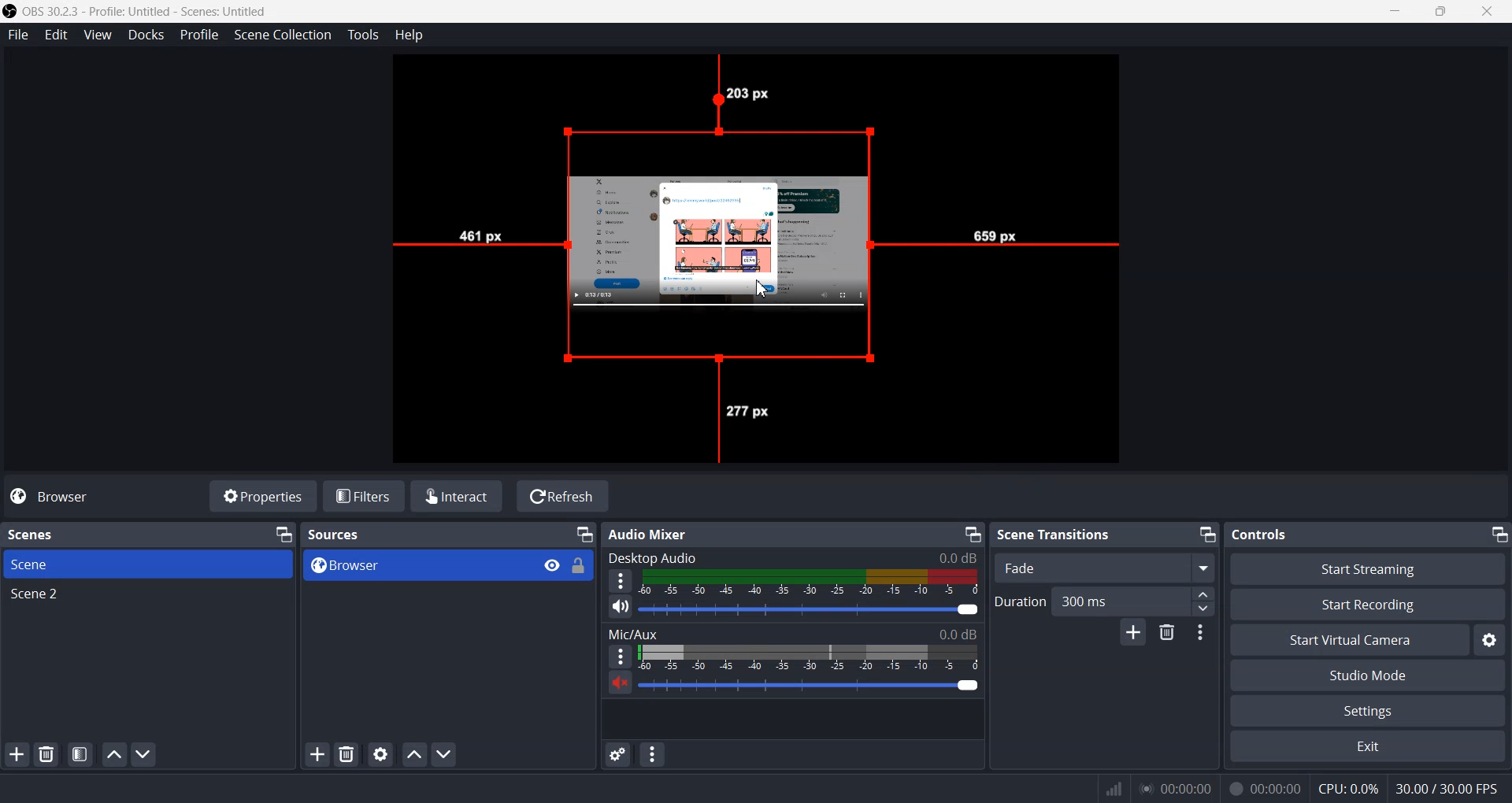 The height and width of the screenshot is (803, 1512). Describe the element at coordinates (1080, 568) in the screenshot. I see `Fade` at that location.